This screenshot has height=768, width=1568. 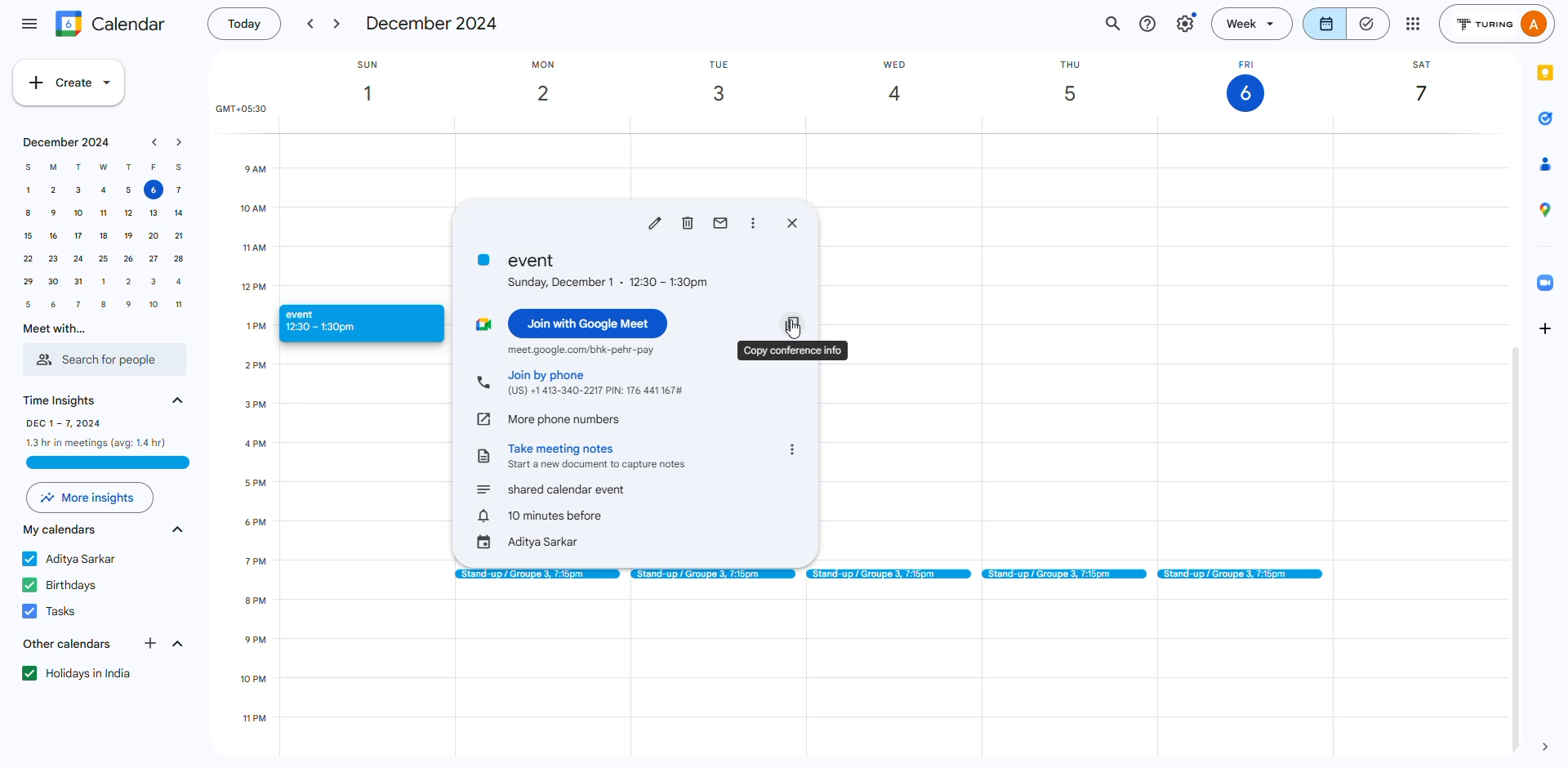 What do you see at coordinates (29, 21) in the screenshot?
I see `meu` at bounding box center [29, 21].